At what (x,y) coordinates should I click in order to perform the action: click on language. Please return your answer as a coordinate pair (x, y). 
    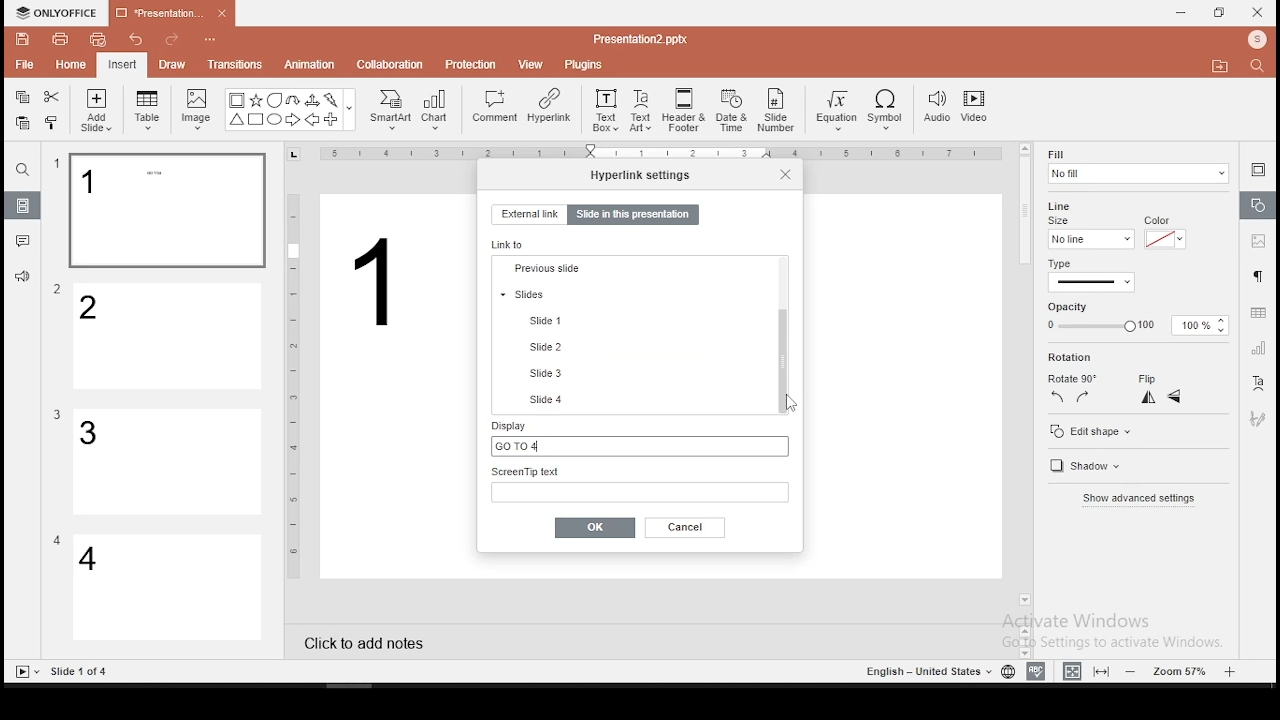
    Looking at the image, I should click on (1007, 672).